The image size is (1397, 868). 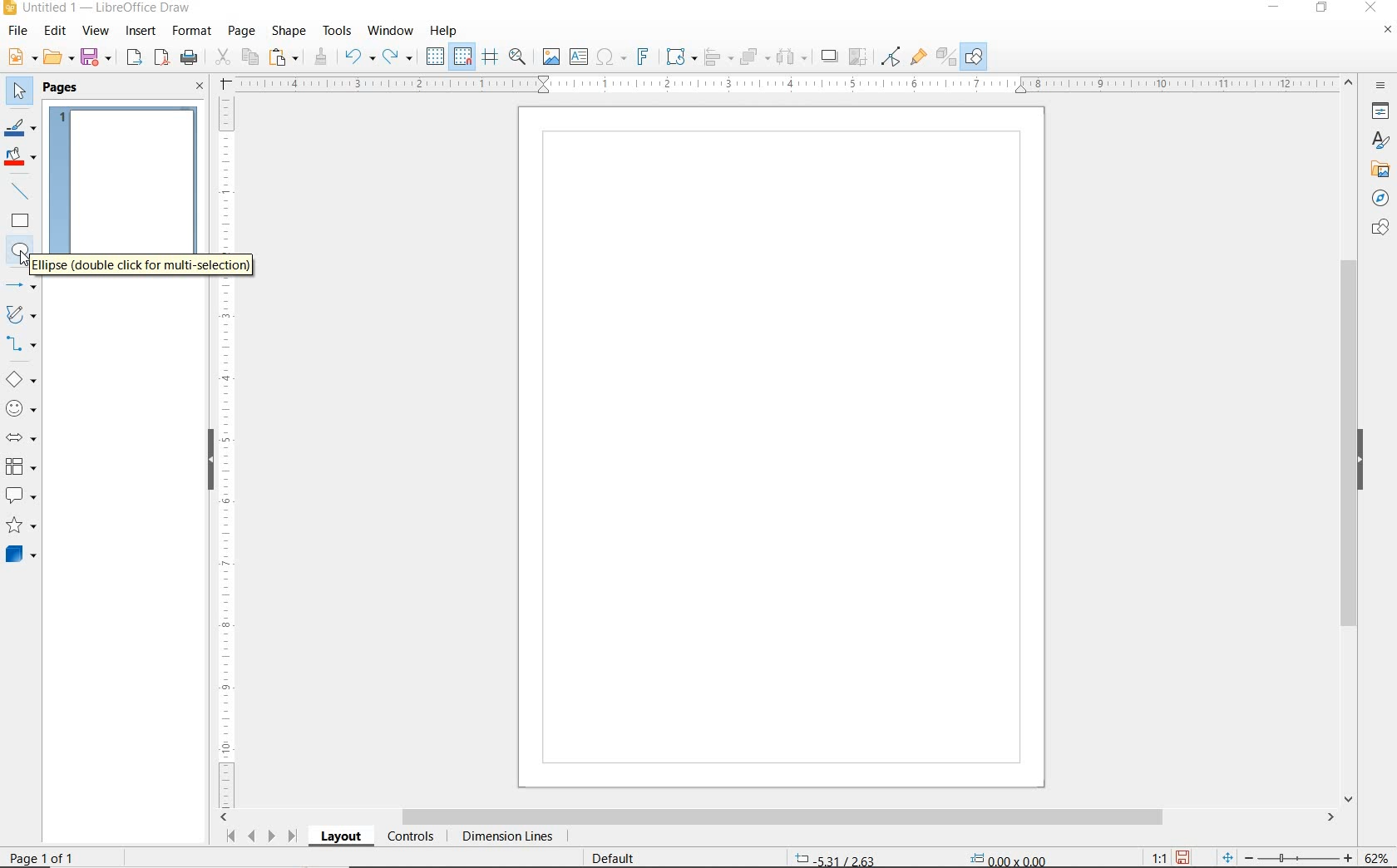 I want to click on LAYOUT, so click(x=340, y=839).